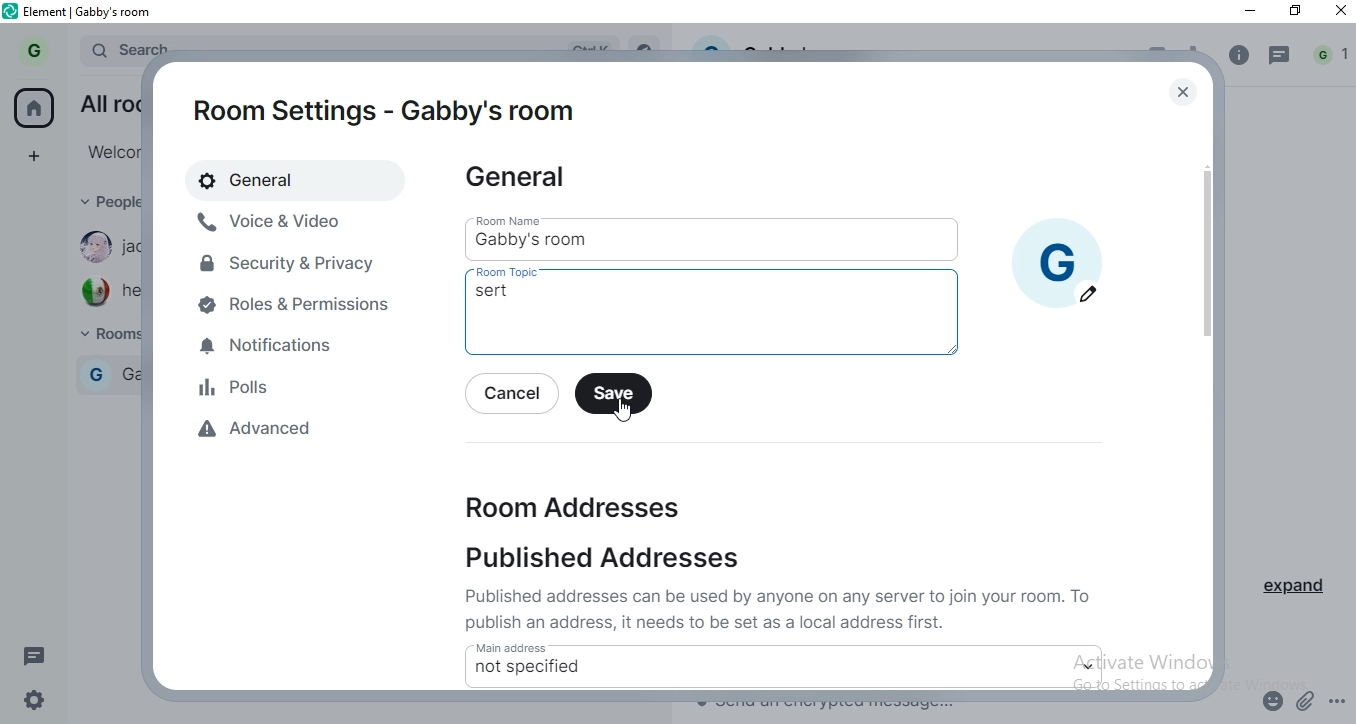 The height and width of the screenshot is (724, 1356). What do you see at coordinates (1250, 14) in the screenshot?
I see `minimise` at bounding box center [1250, 14].